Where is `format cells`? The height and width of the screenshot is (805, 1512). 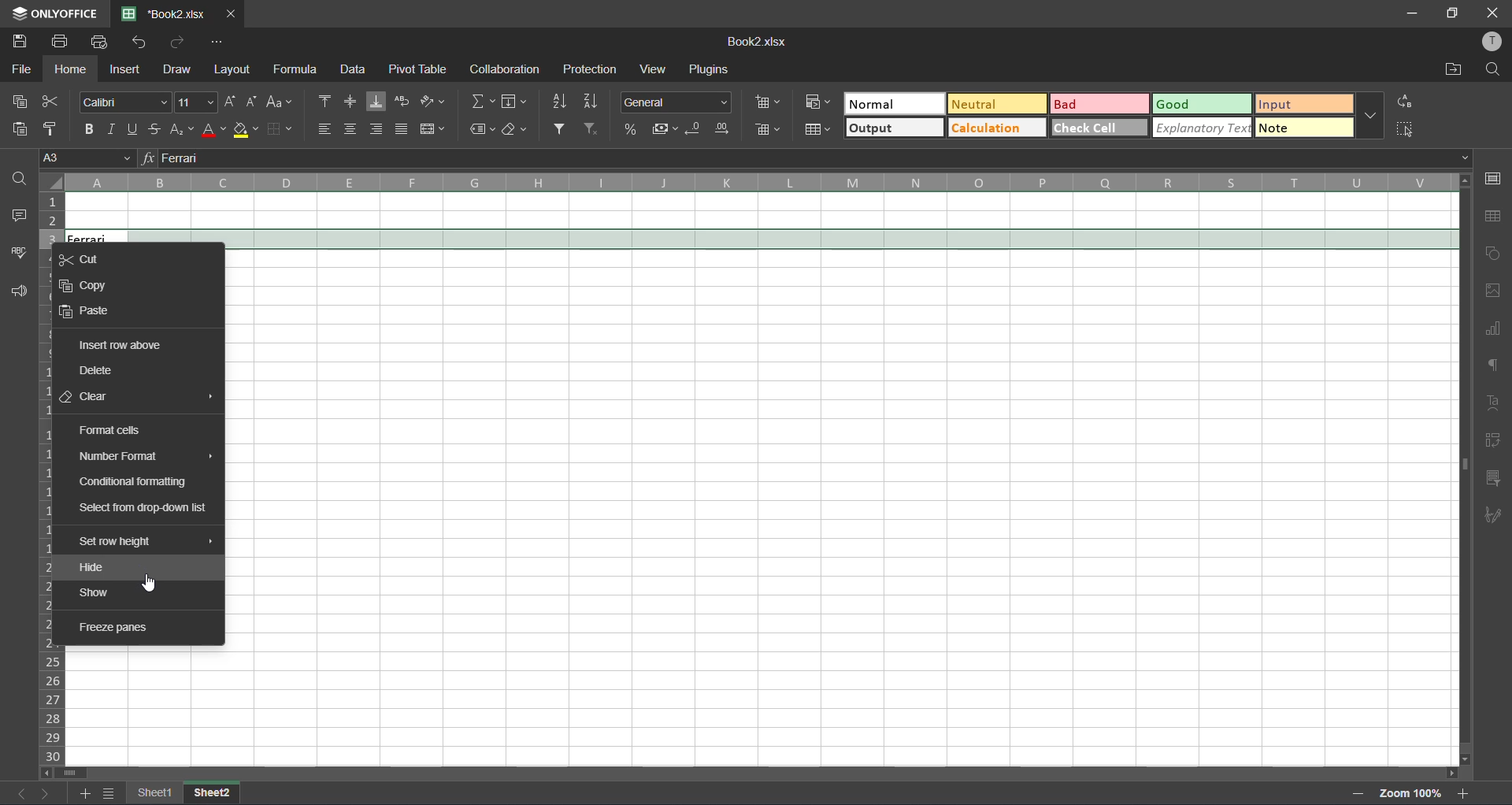 format cells is located at coordinates (120, 430).